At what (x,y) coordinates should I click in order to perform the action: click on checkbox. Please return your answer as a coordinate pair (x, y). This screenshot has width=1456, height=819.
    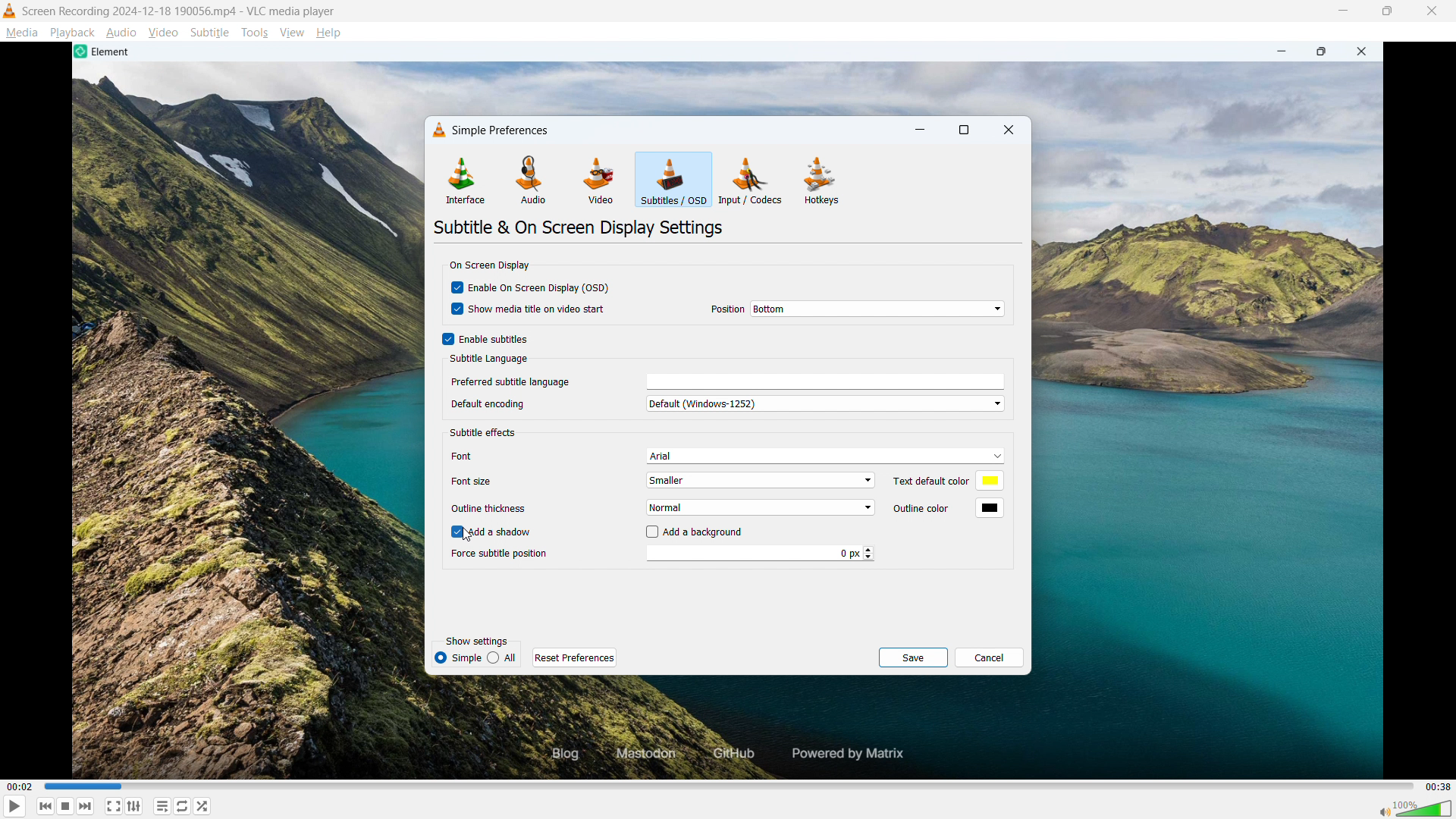
    Looking at the image, I should click on (649, 532).